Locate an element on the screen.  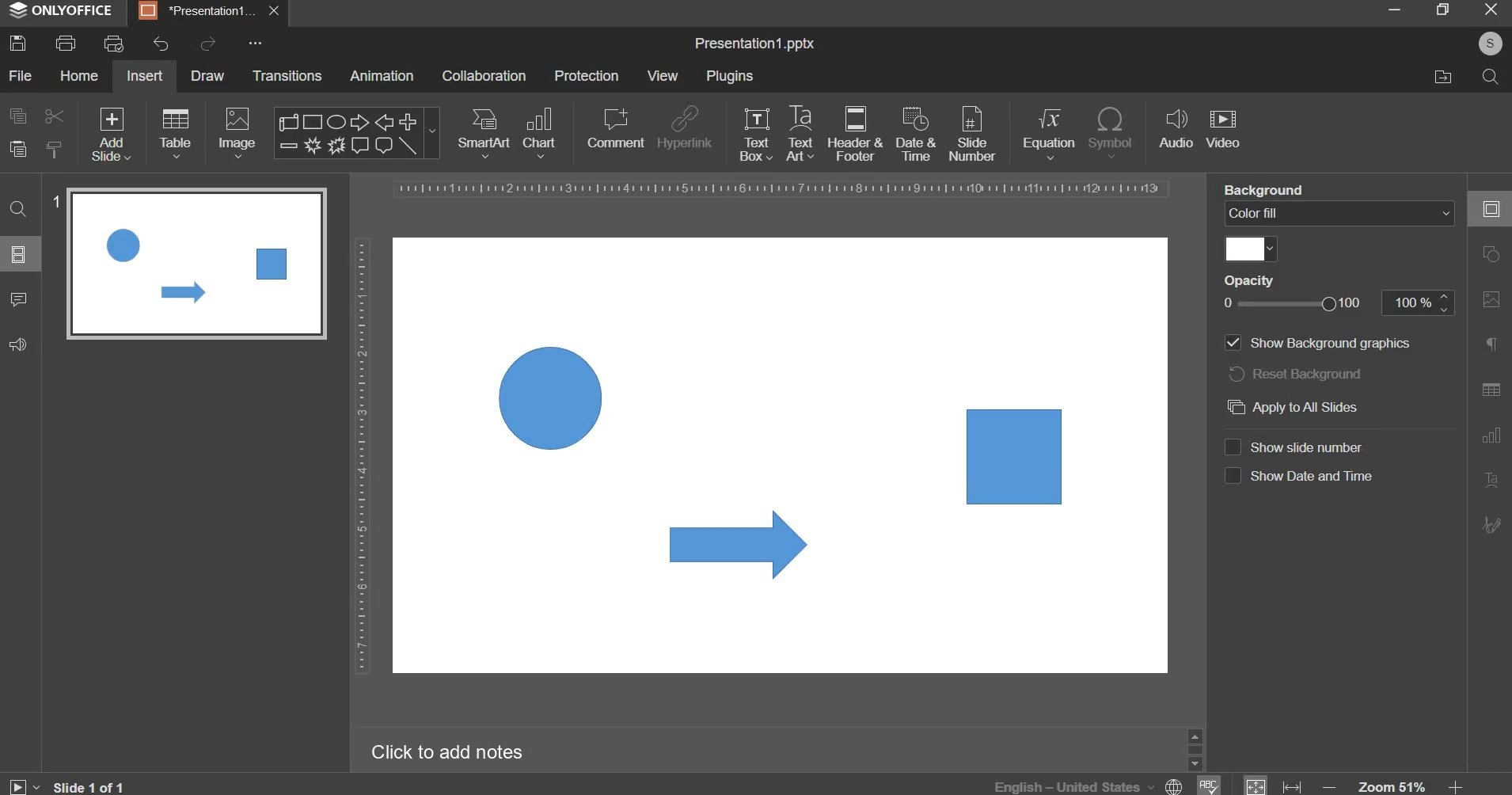
vertical slider is located at coordinates (1195, 748).